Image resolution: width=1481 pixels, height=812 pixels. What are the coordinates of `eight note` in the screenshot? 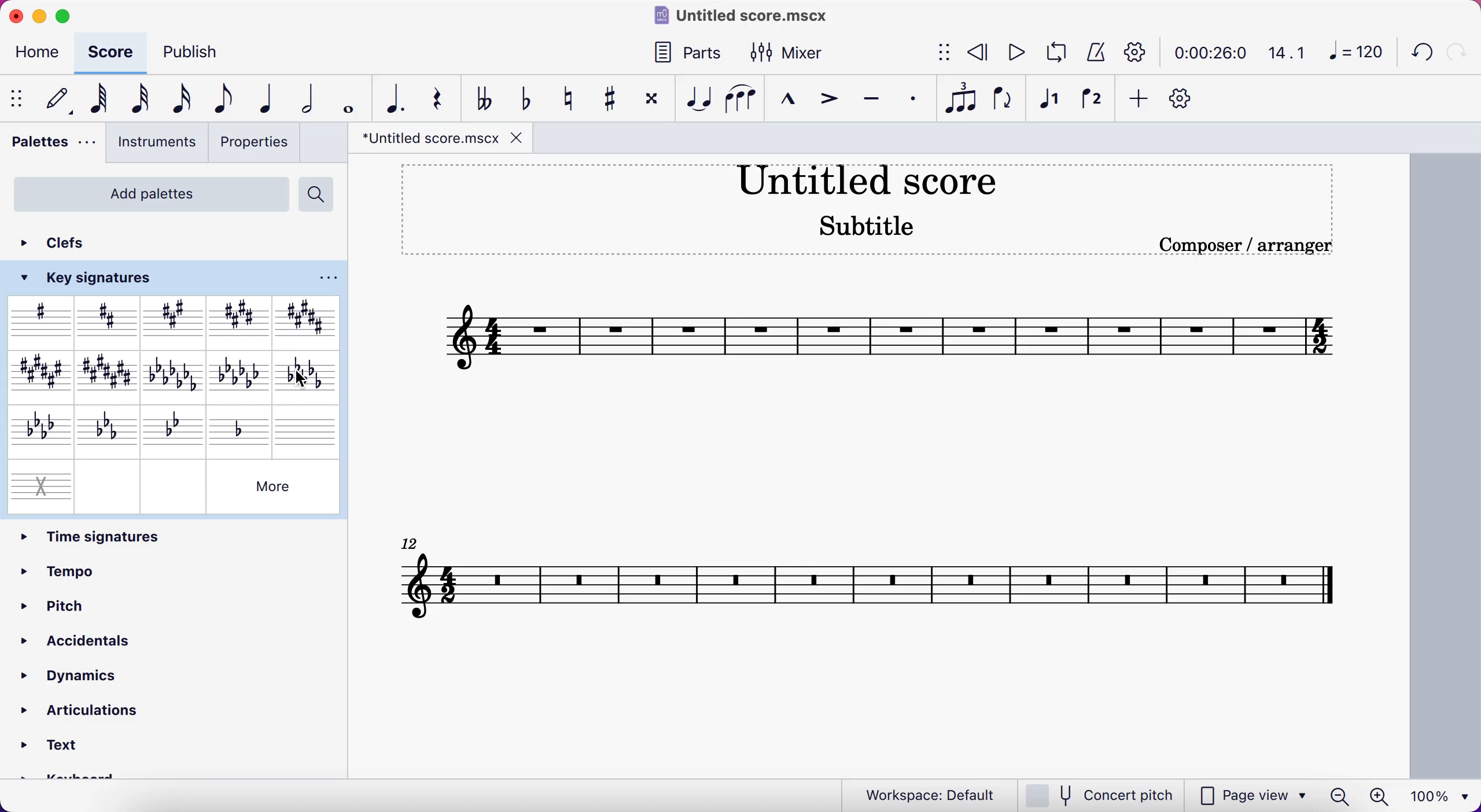 It's located at (227, 97).